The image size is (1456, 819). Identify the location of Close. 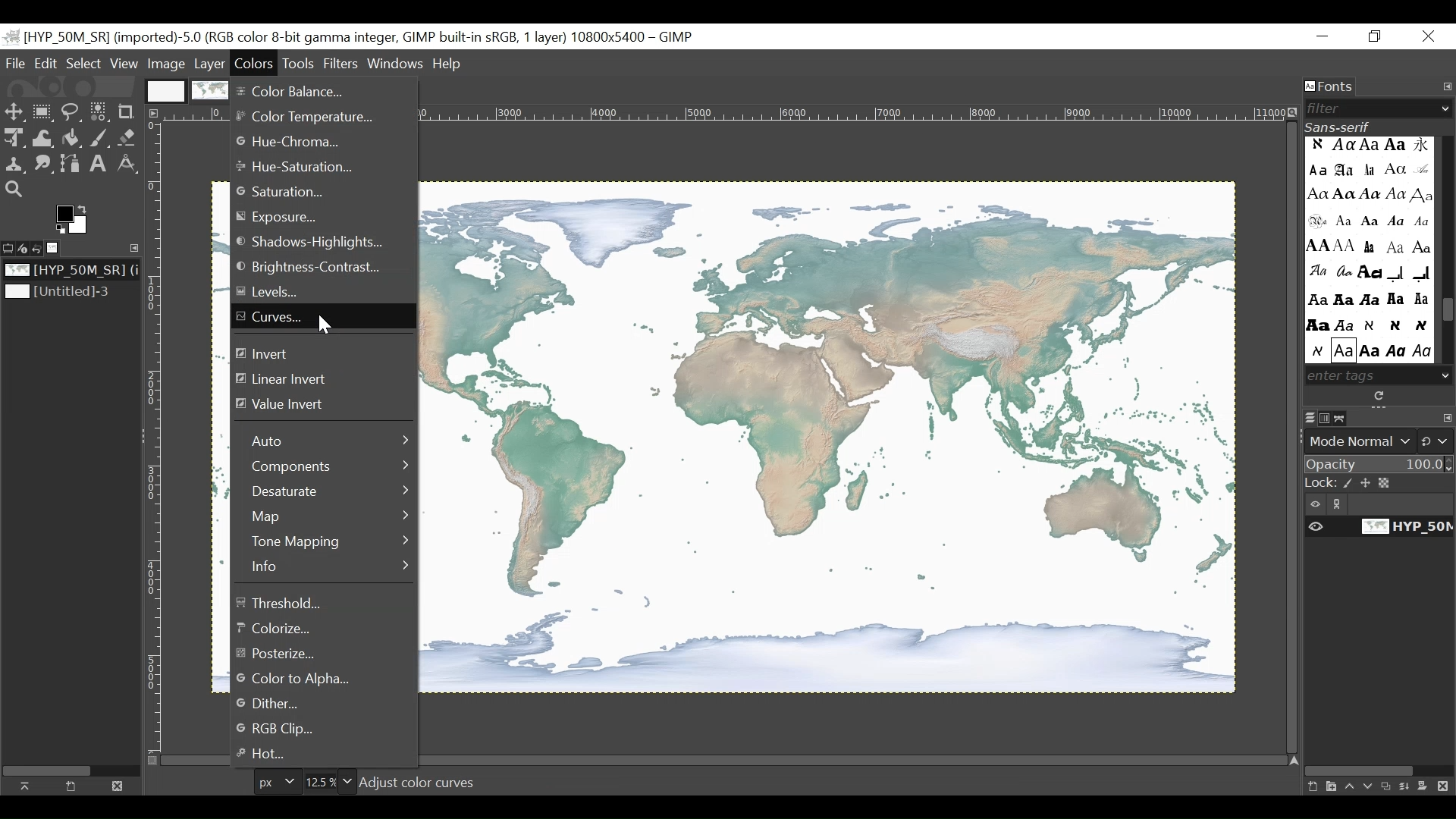
(115, 785).